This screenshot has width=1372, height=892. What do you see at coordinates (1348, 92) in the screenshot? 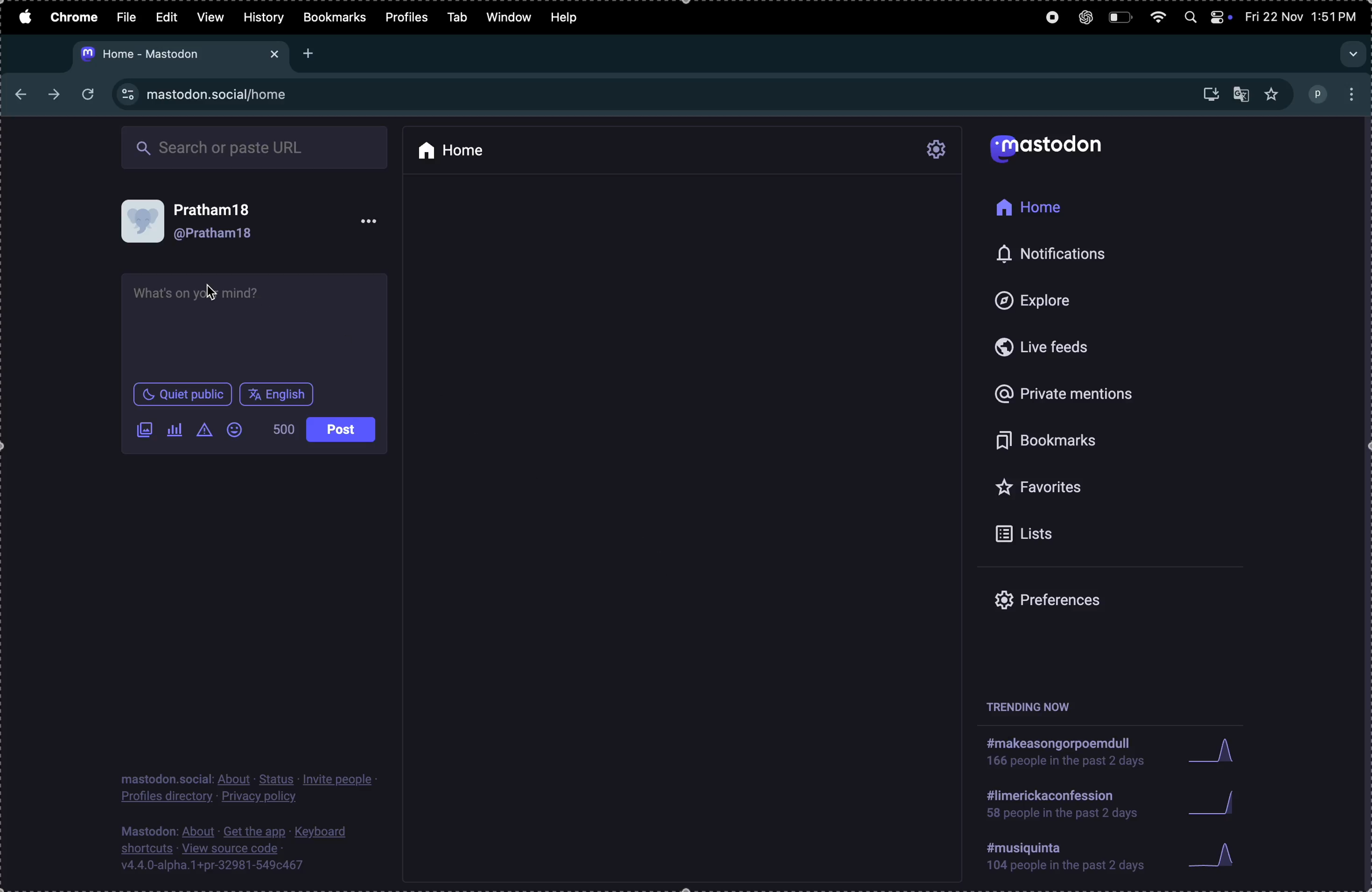
I see `options` at bounding box center [1348, 92].